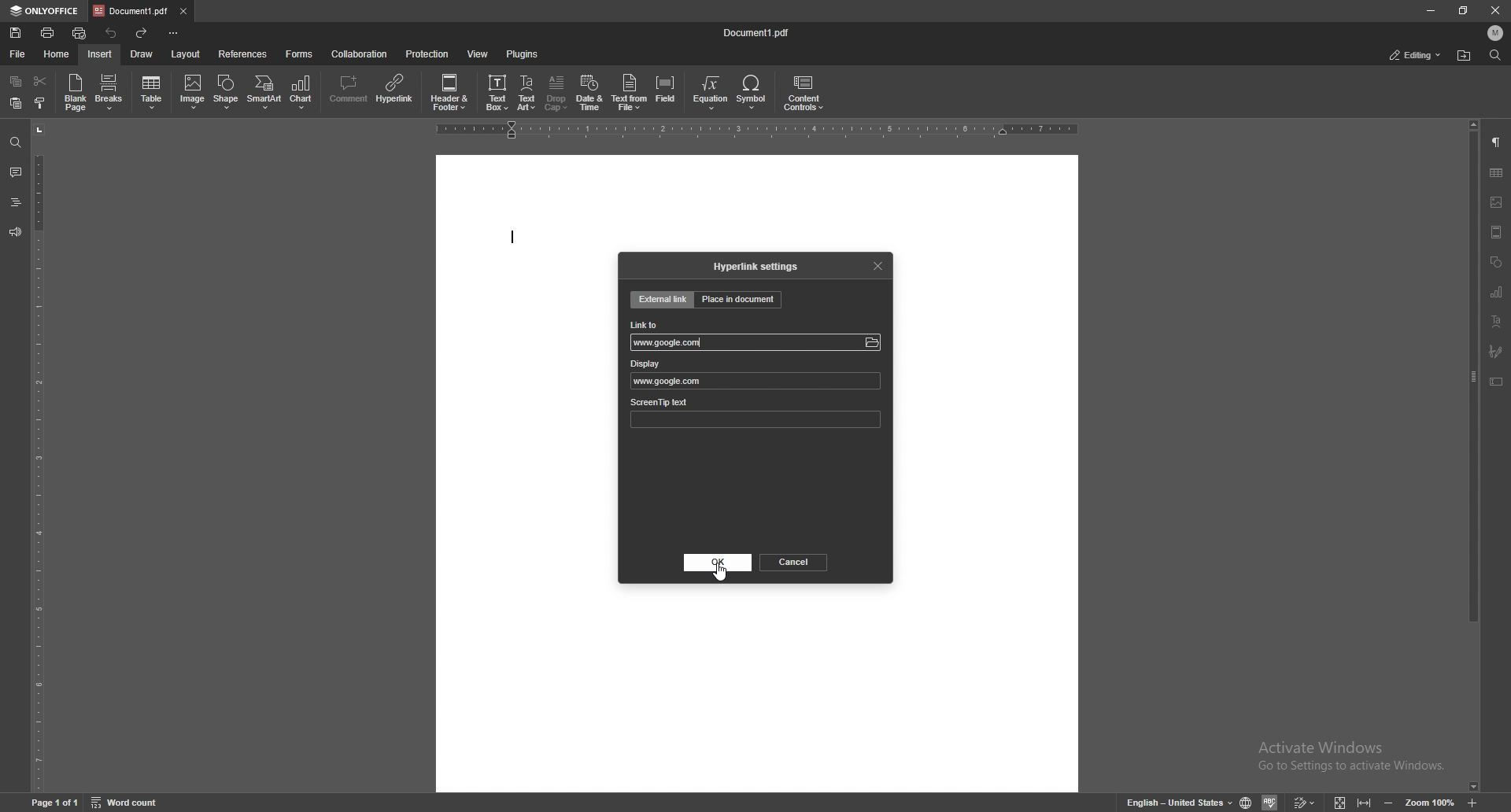  What do you see at coordinates (1495, 263) in the screenshot?
I see `shapes` at bounding box center [1495, 263].